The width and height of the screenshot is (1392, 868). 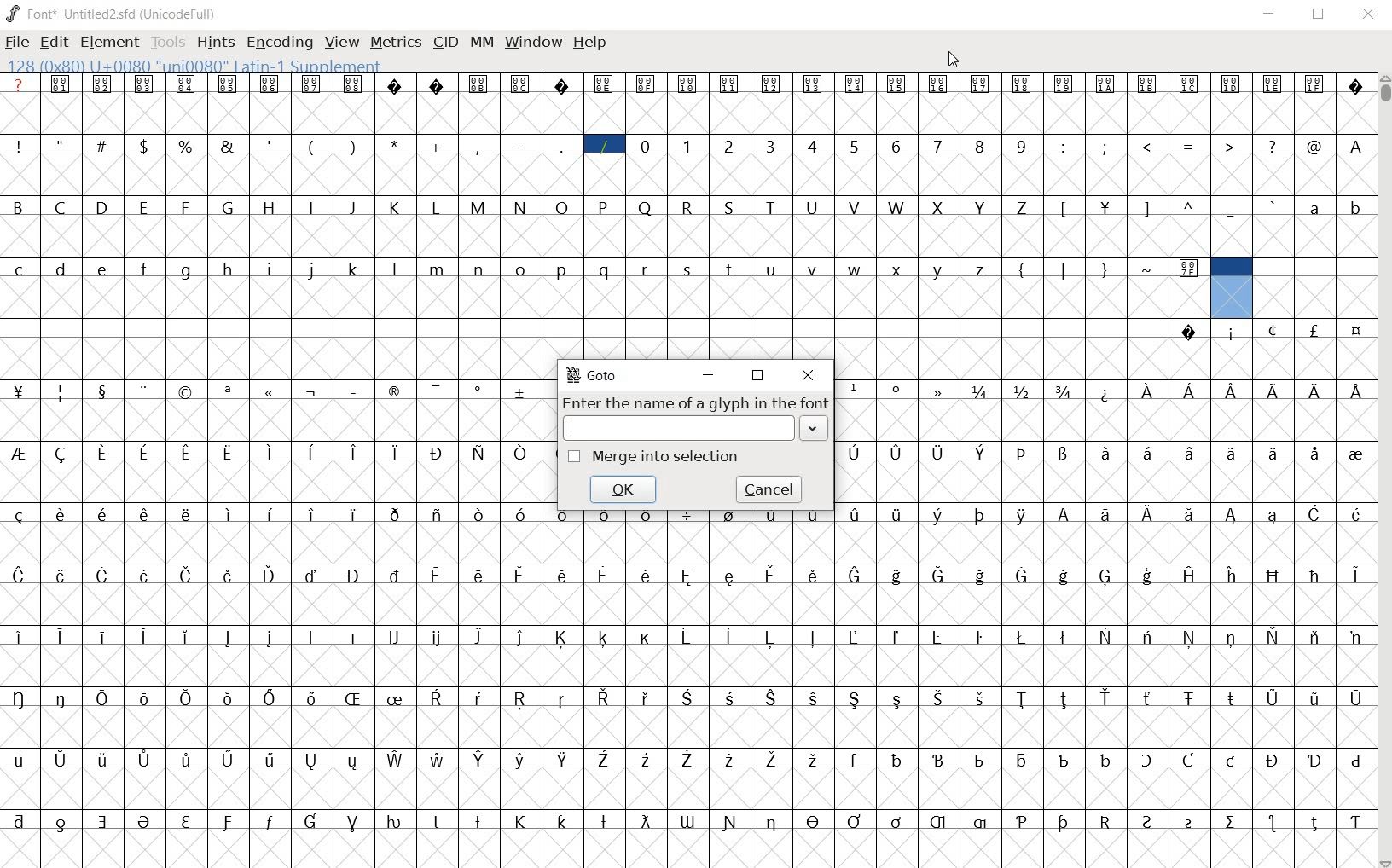 What do you see at coordinates (439, 391) in the screenshot?
I see `Symbol` at bounding box center [439, 391].